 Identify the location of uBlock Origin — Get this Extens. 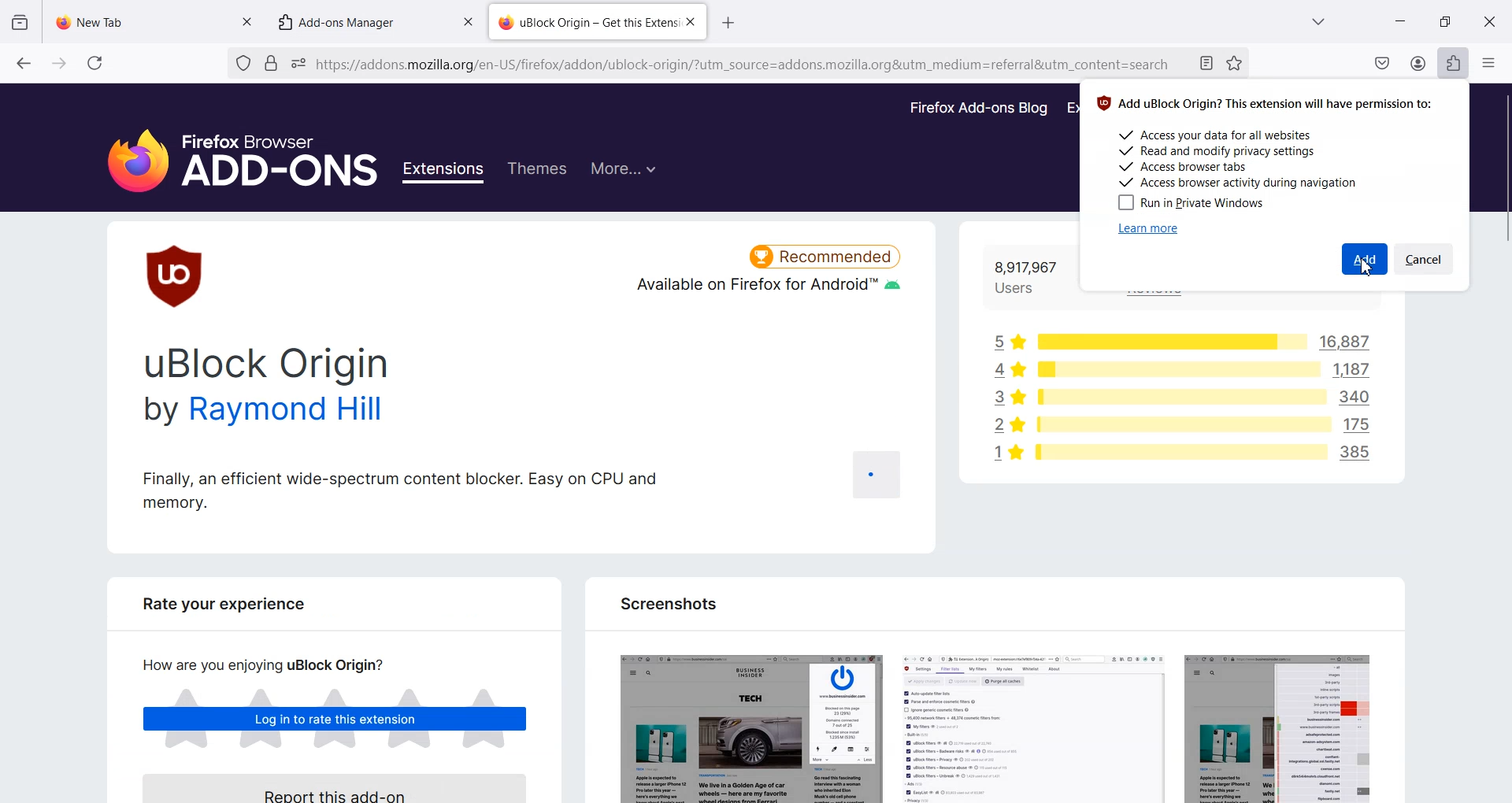
(587, 20).